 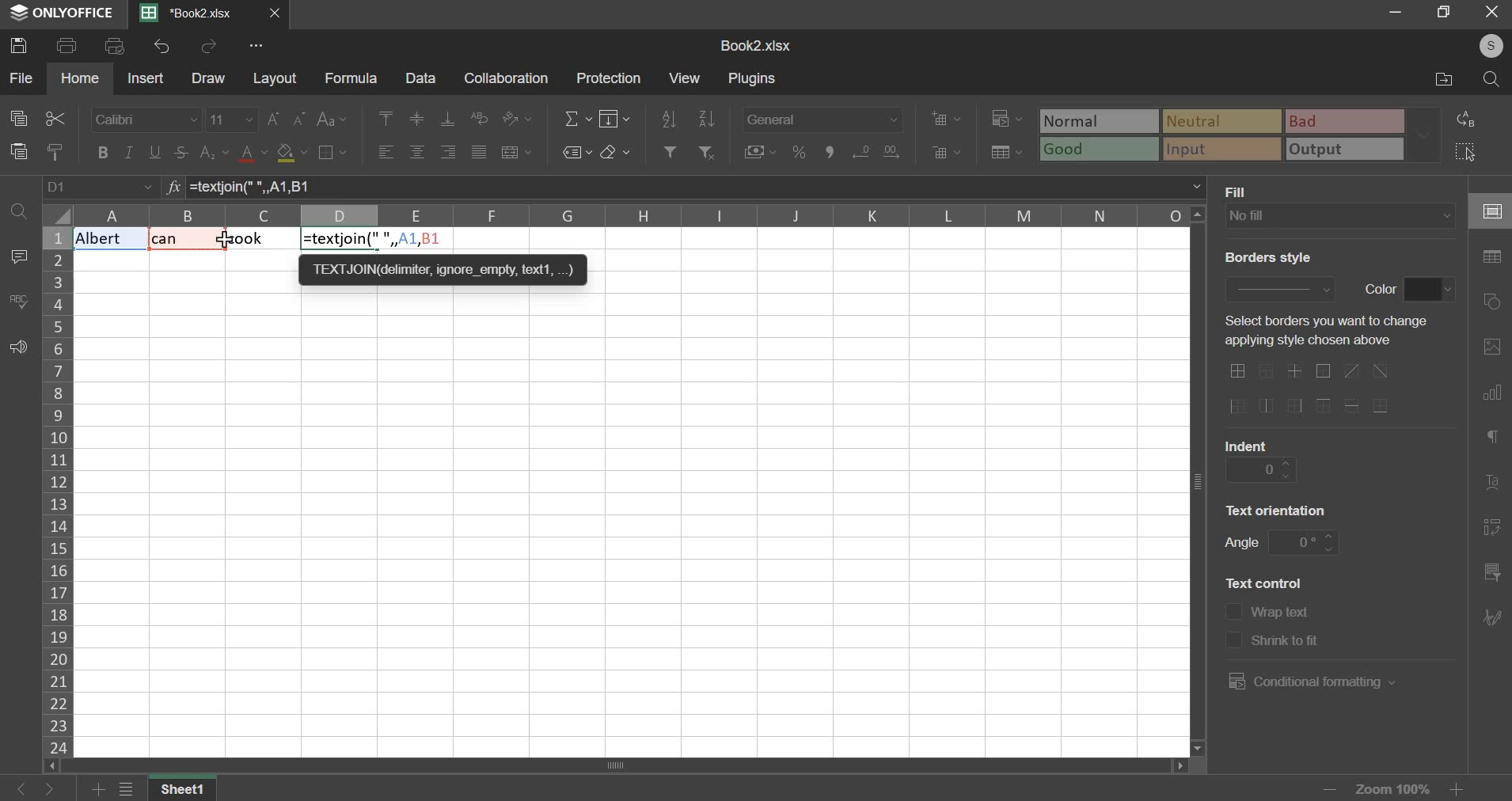 What do you see at coordinates (449, 152) in the screenshot?
I see `align right` at bounding box center [449, 152].